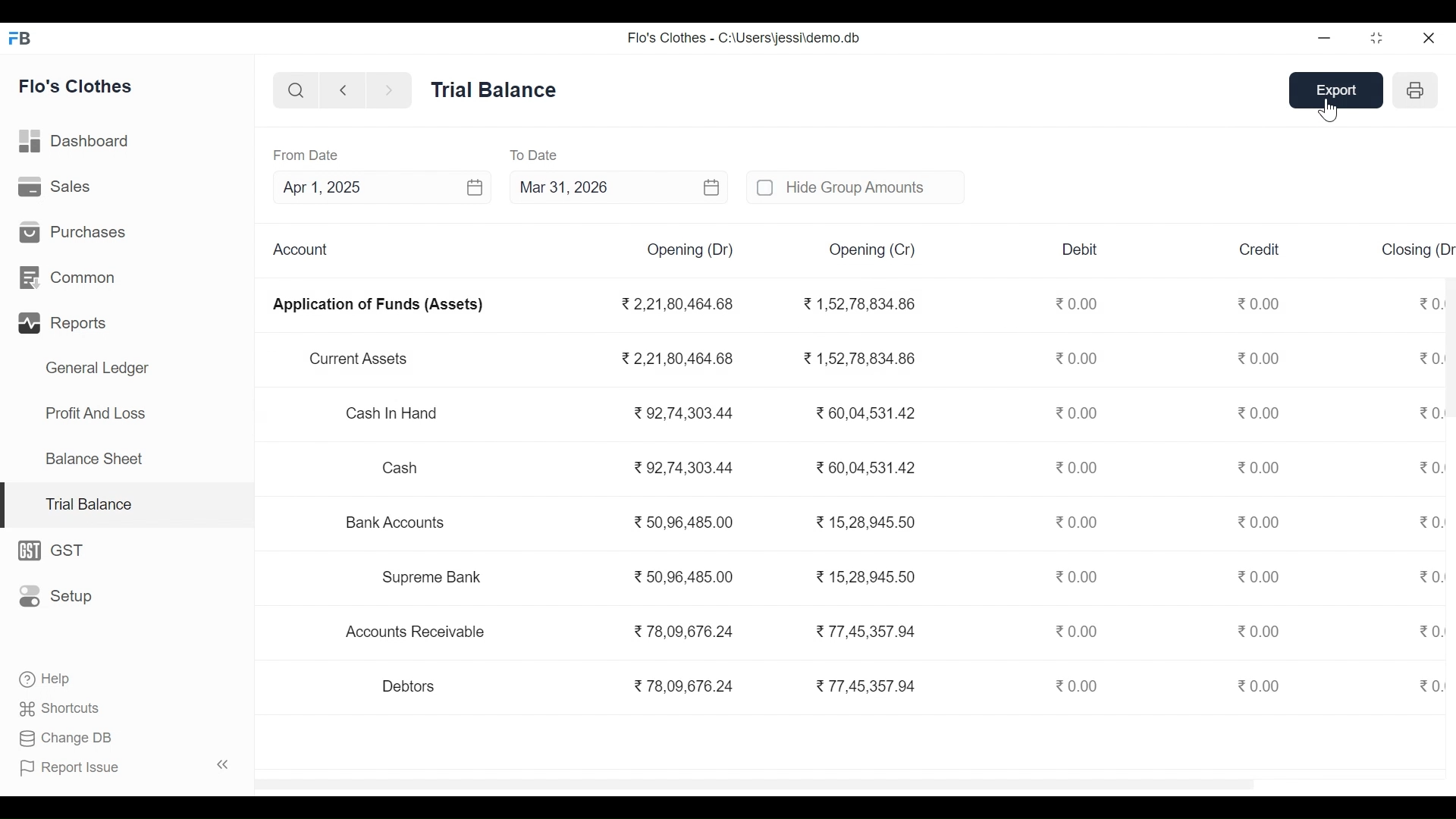  I want to click on Export, so click(1340, 90).